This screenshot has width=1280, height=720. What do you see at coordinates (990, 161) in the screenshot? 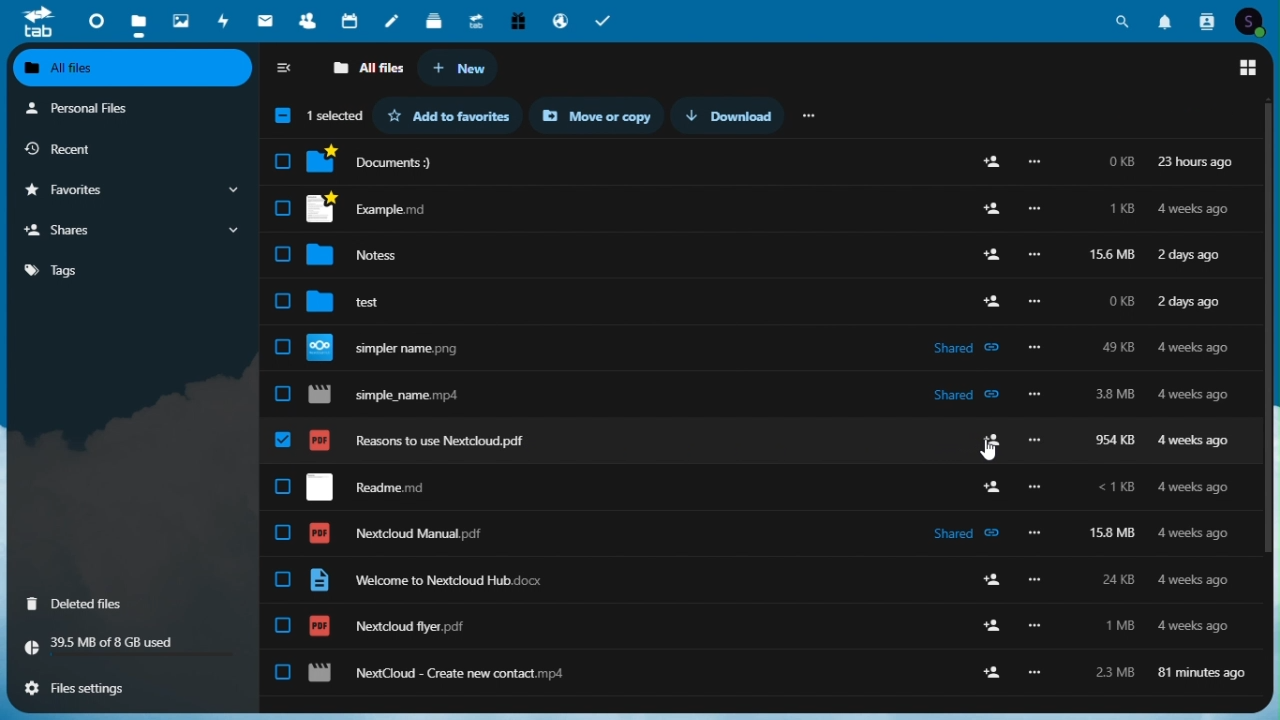
I see ` add user` at bounding box center [990, 161].